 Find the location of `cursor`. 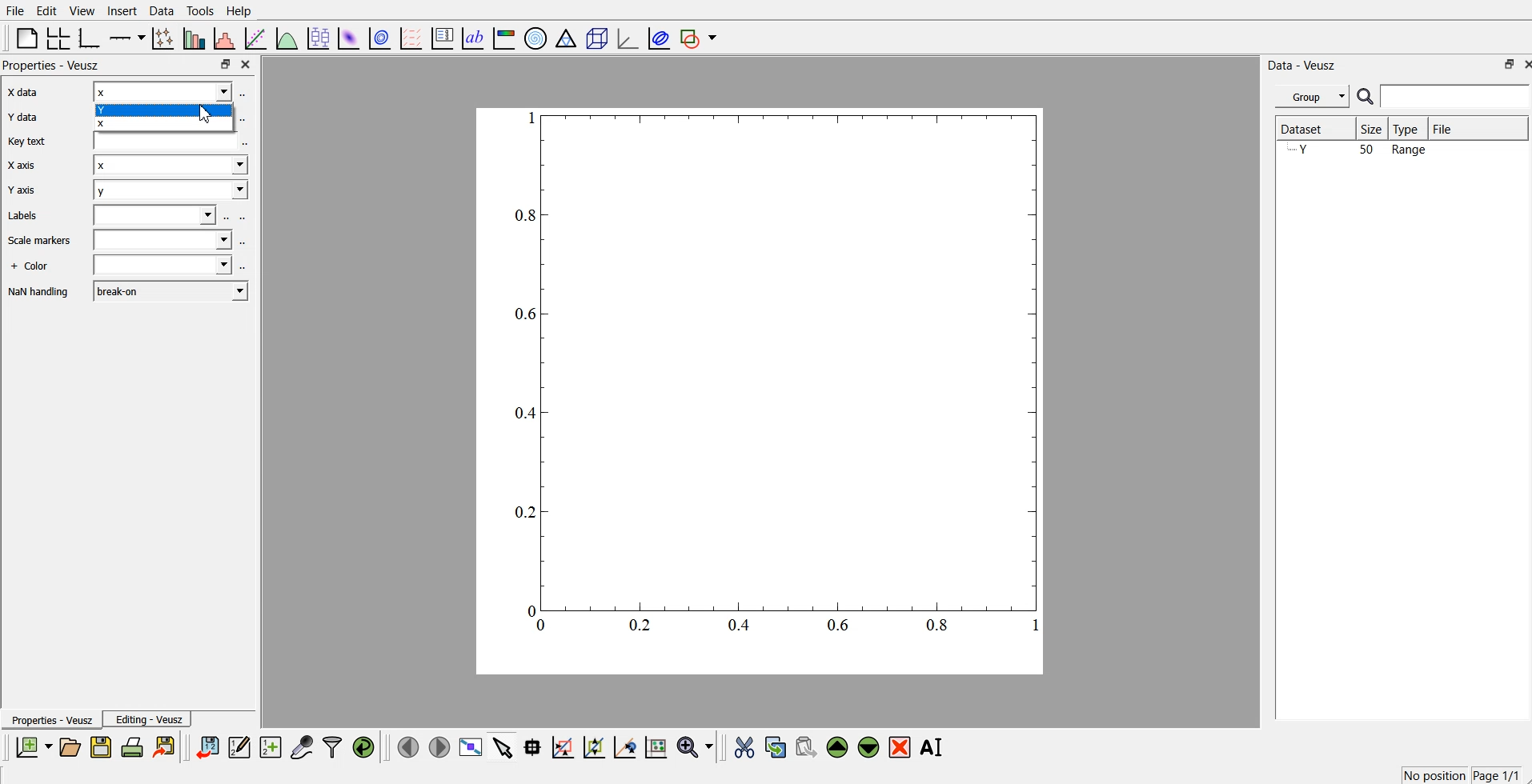

cursor is located at coordinates (208, 115).